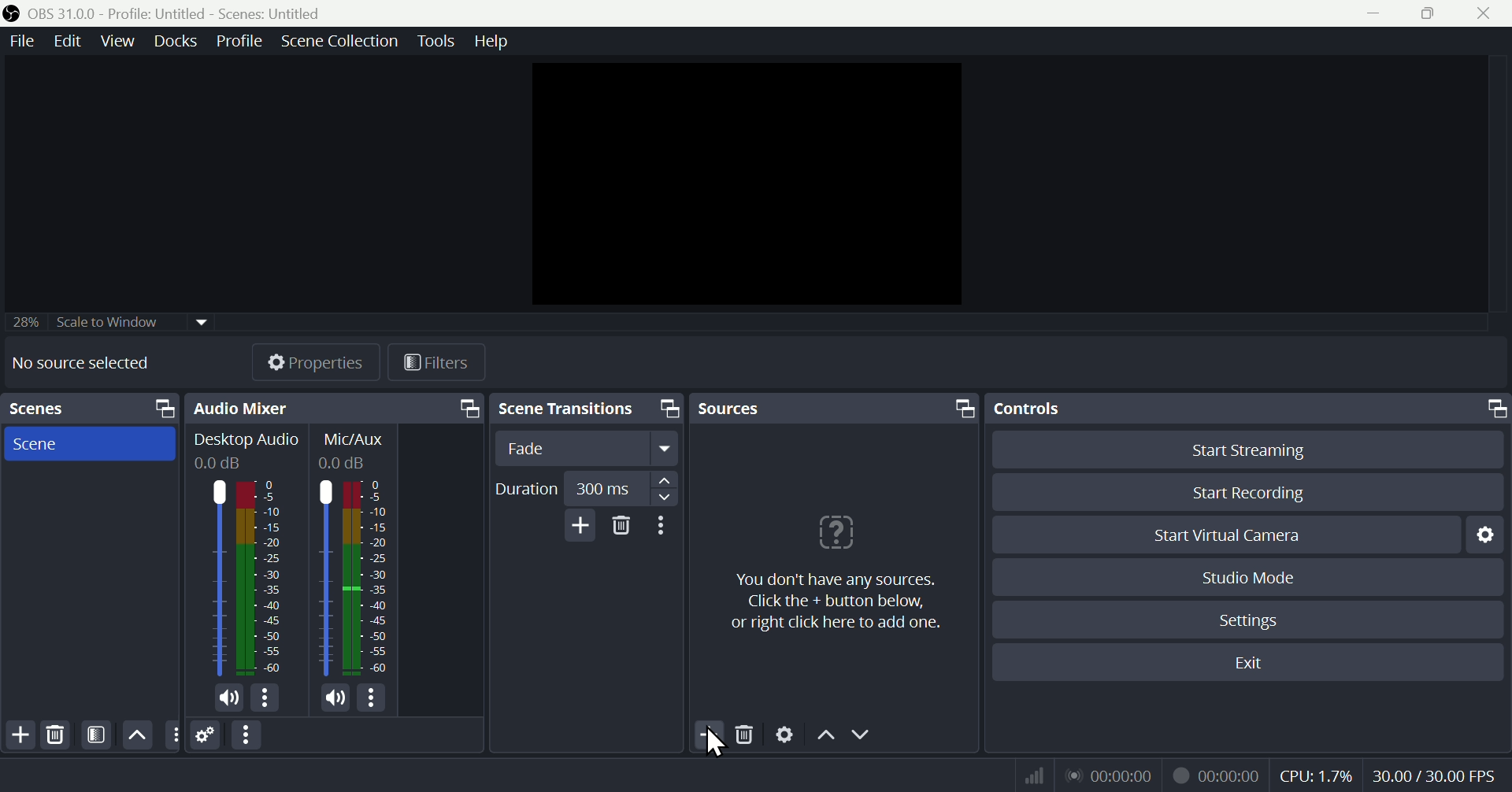 The height and width of the screenshot is (792, 1512). What do you see at coordinates (577, 525) in the screenshot?
I see `Add` at bounding box center [577, 525].